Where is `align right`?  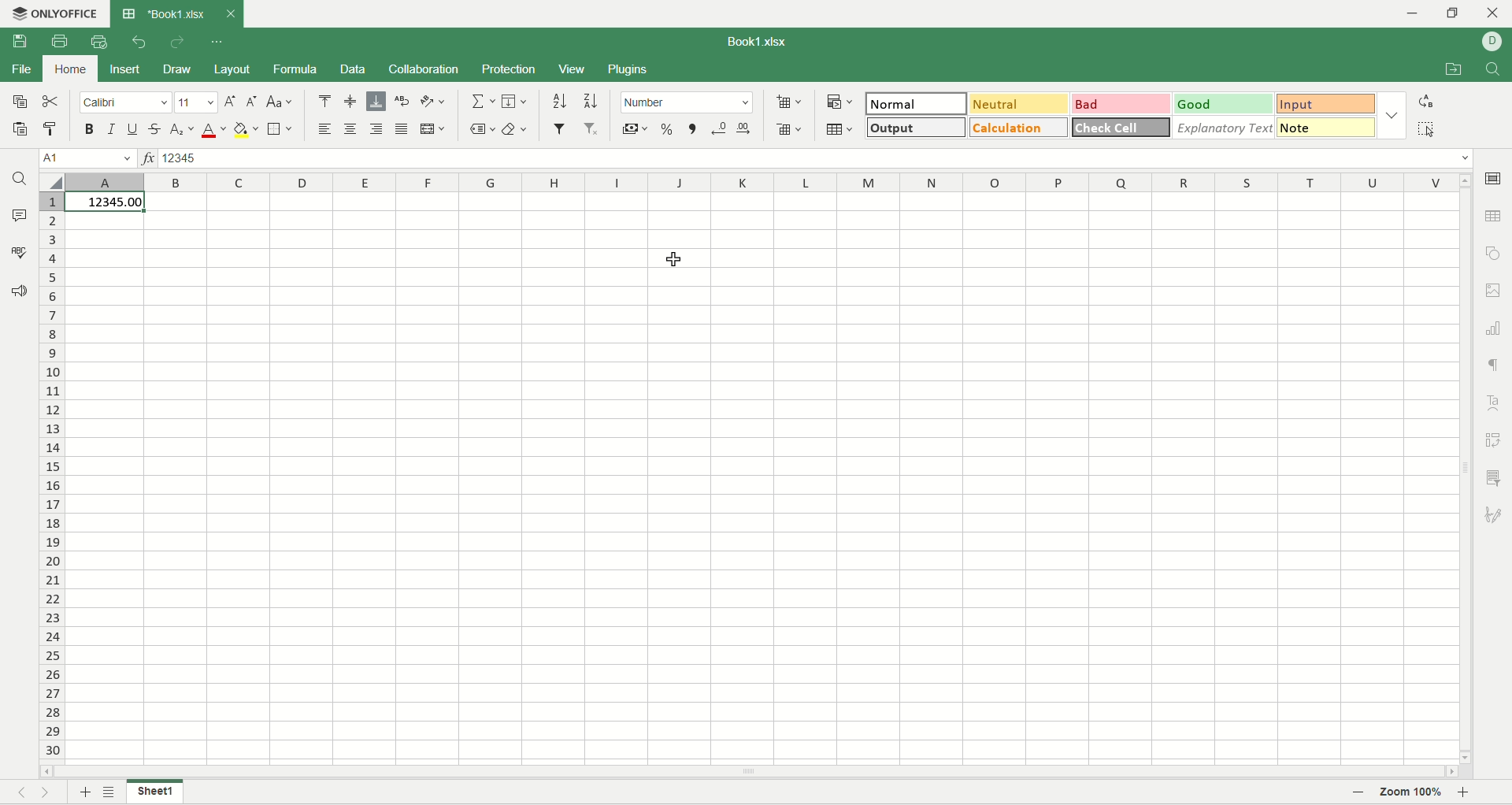
align right is located at coordinates (378, 130).